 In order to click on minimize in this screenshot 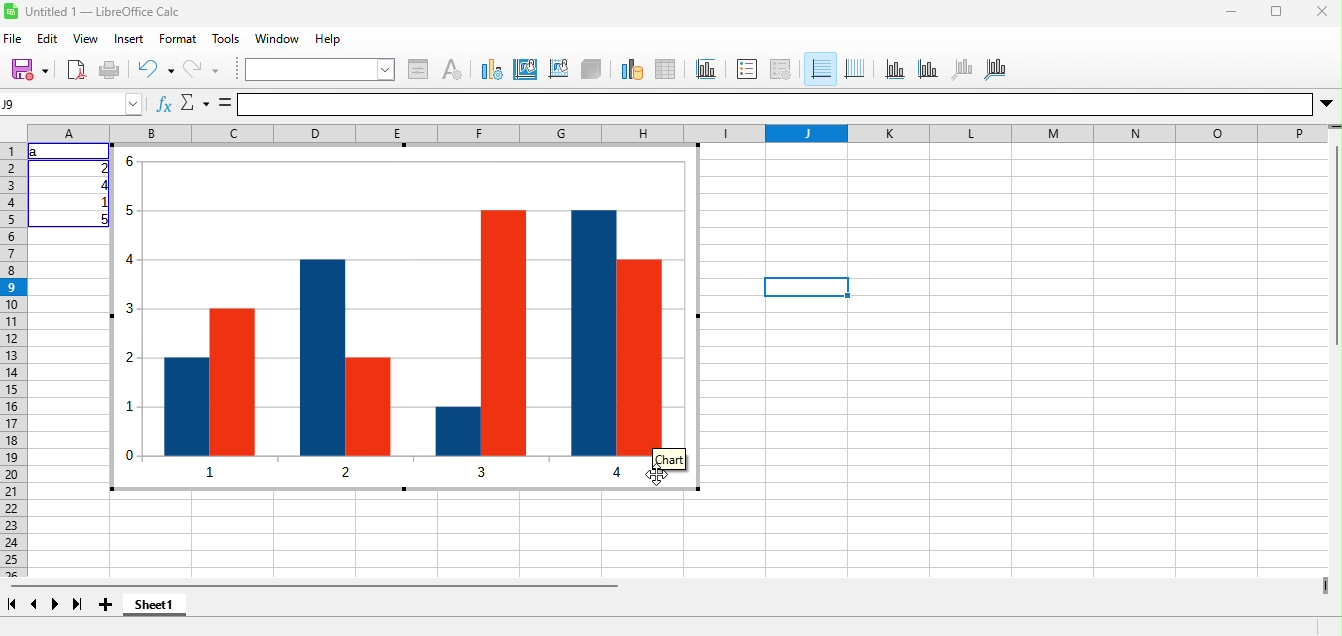, I will do `click(1232, 11)`.